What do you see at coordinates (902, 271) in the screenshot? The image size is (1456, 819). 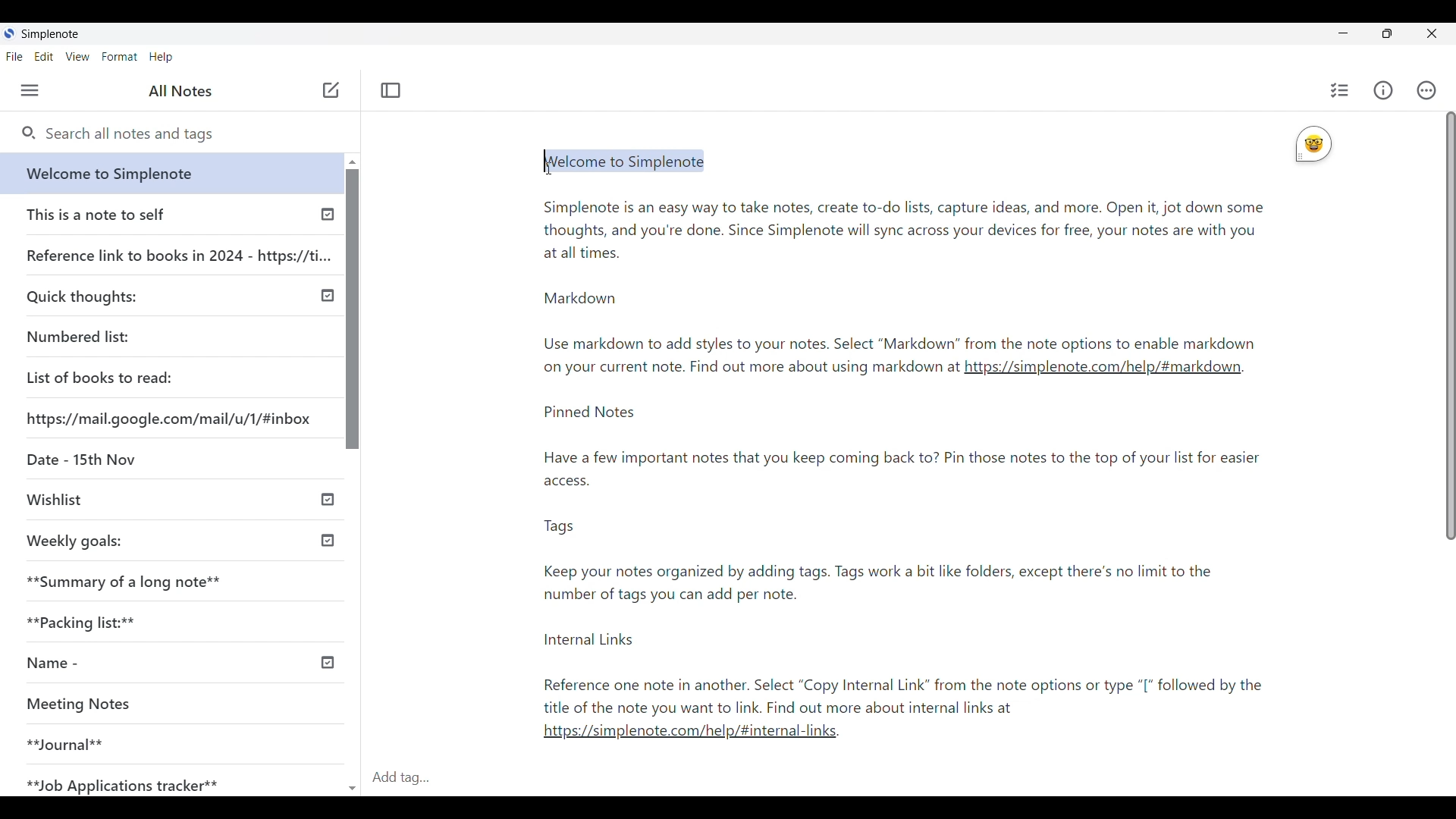 I see `Current note text` at bounding box center [902, 271].